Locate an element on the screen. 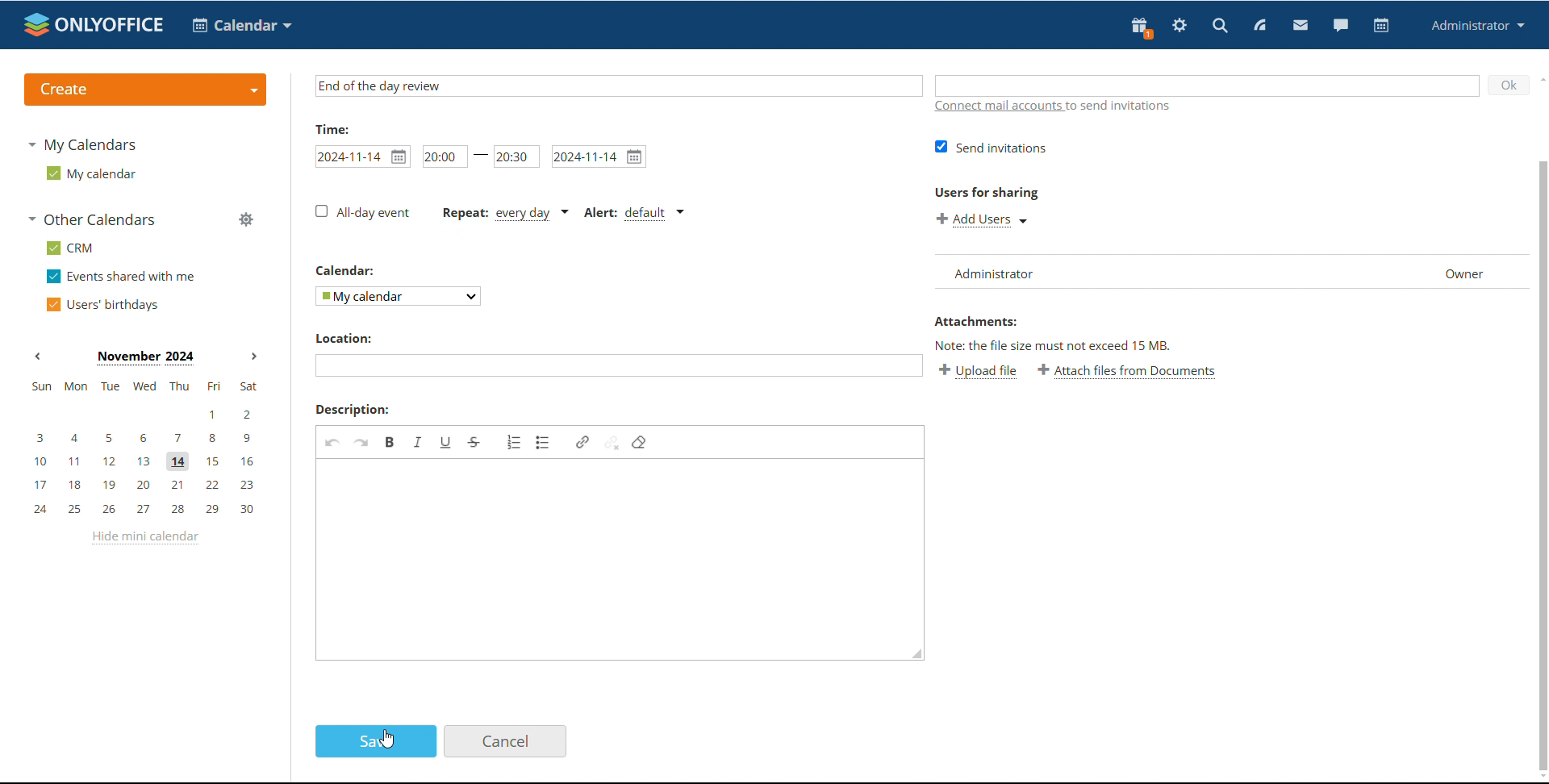 Image resolution: width=1549 pixels, height=784 pixels. Undo is located at coordinates (333, 441).